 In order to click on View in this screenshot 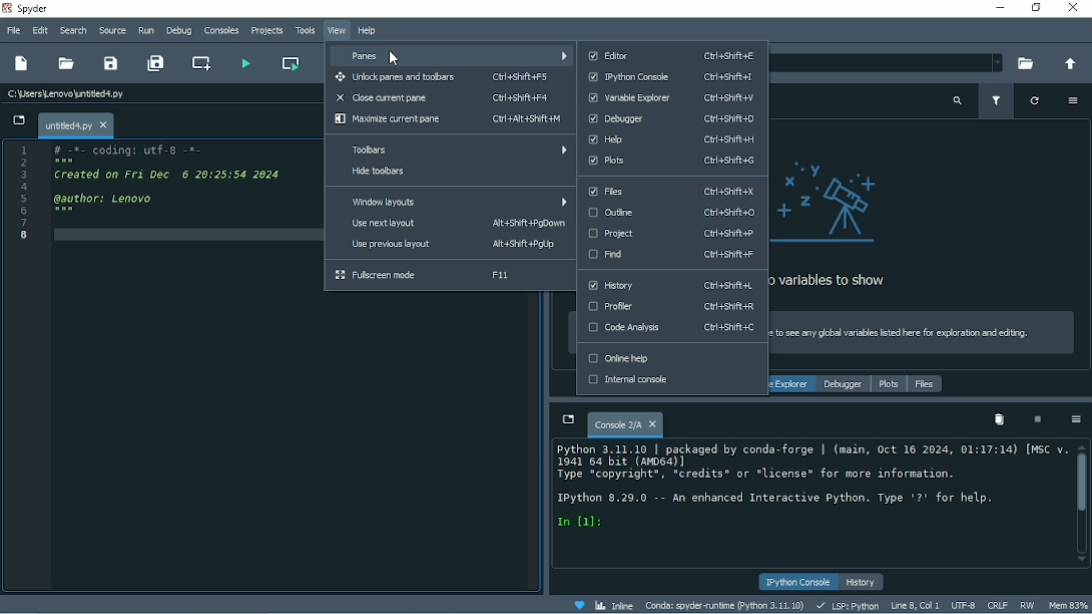, I will do `click(336, 31)`.